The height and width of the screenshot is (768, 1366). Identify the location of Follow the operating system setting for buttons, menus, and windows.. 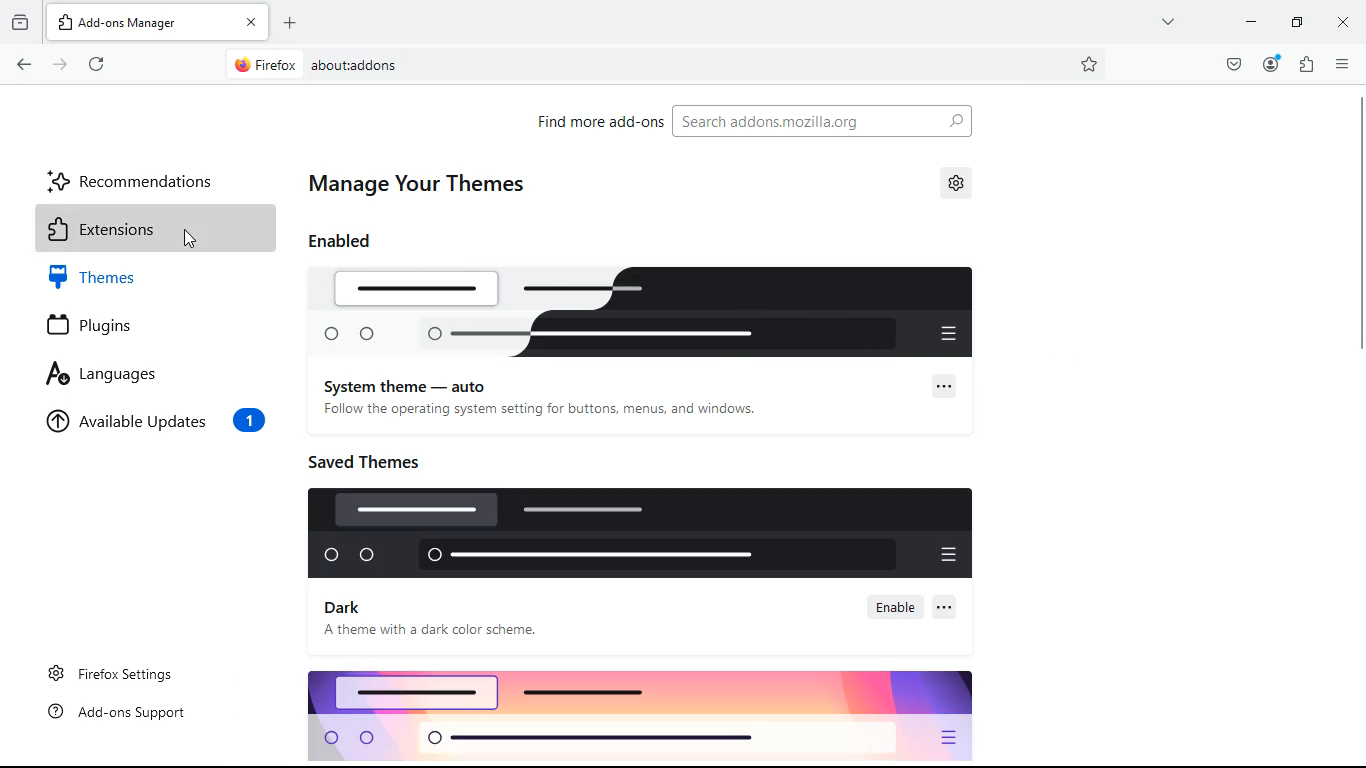
(546, 412).